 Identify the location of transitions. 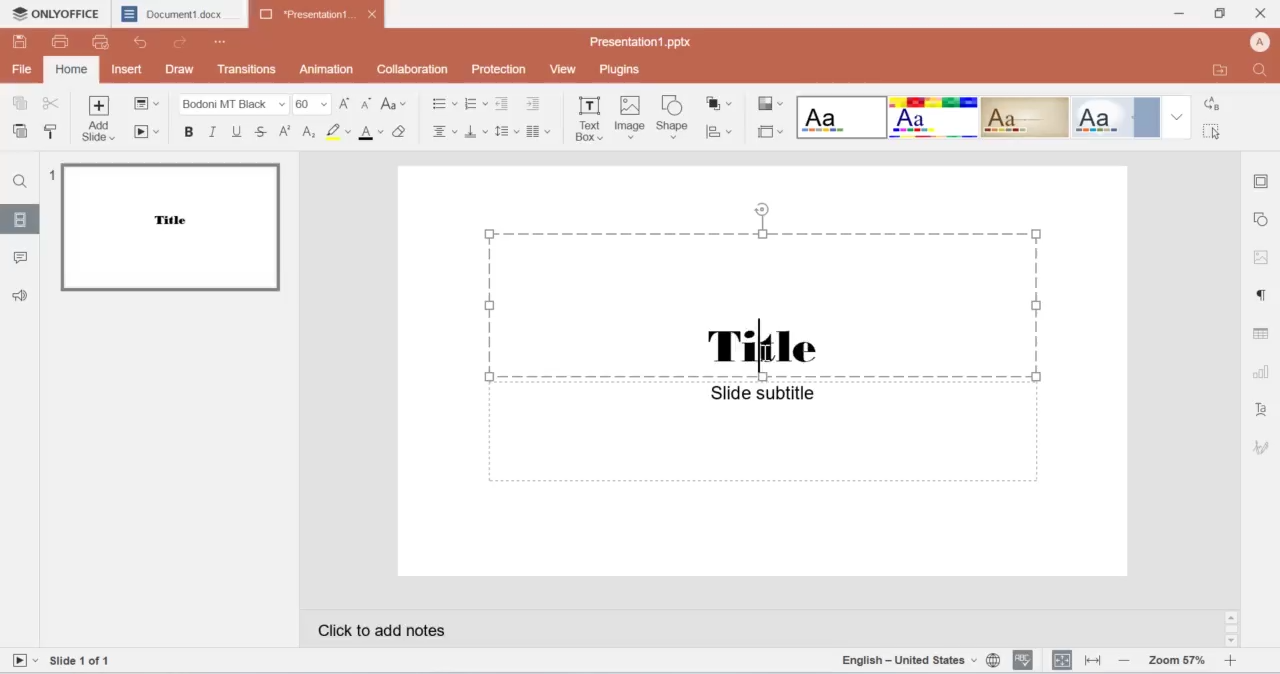
(249, 69).